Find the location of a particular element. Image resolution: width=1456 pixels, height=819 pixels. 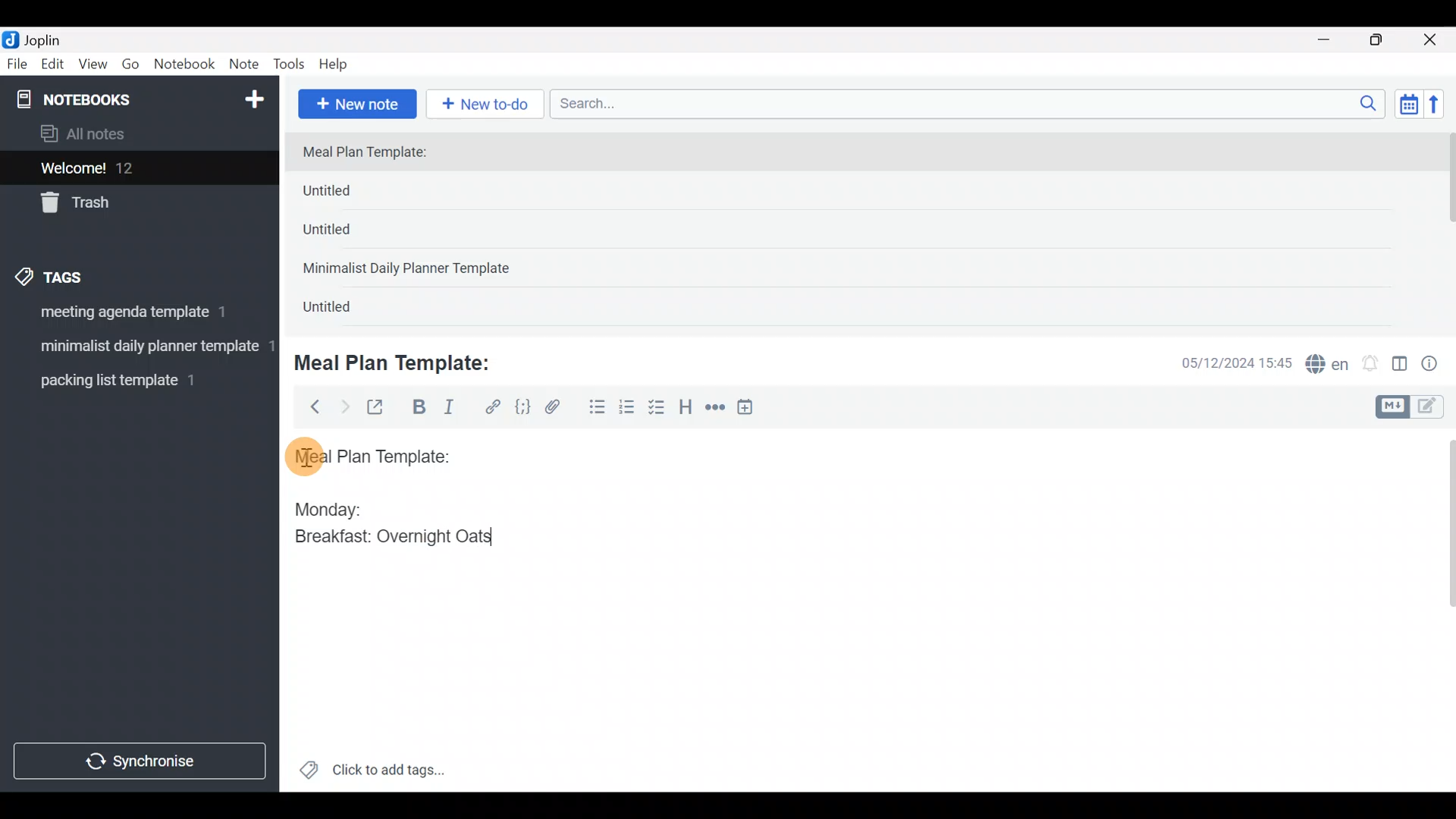

Trash is located at coordinates (130, 204).